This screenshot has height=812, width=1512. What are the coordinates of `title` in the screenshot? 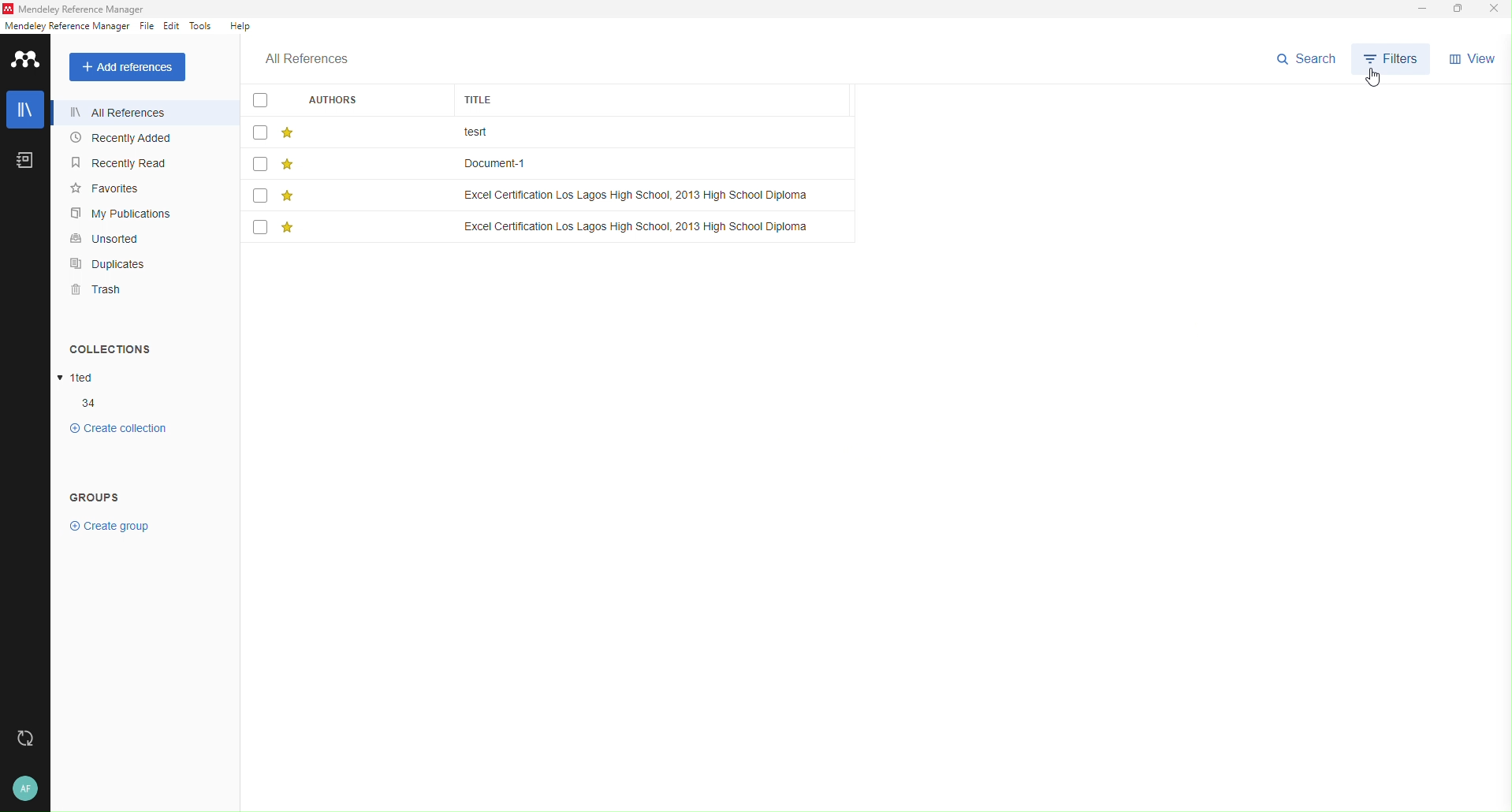 It's located at (637, 196).